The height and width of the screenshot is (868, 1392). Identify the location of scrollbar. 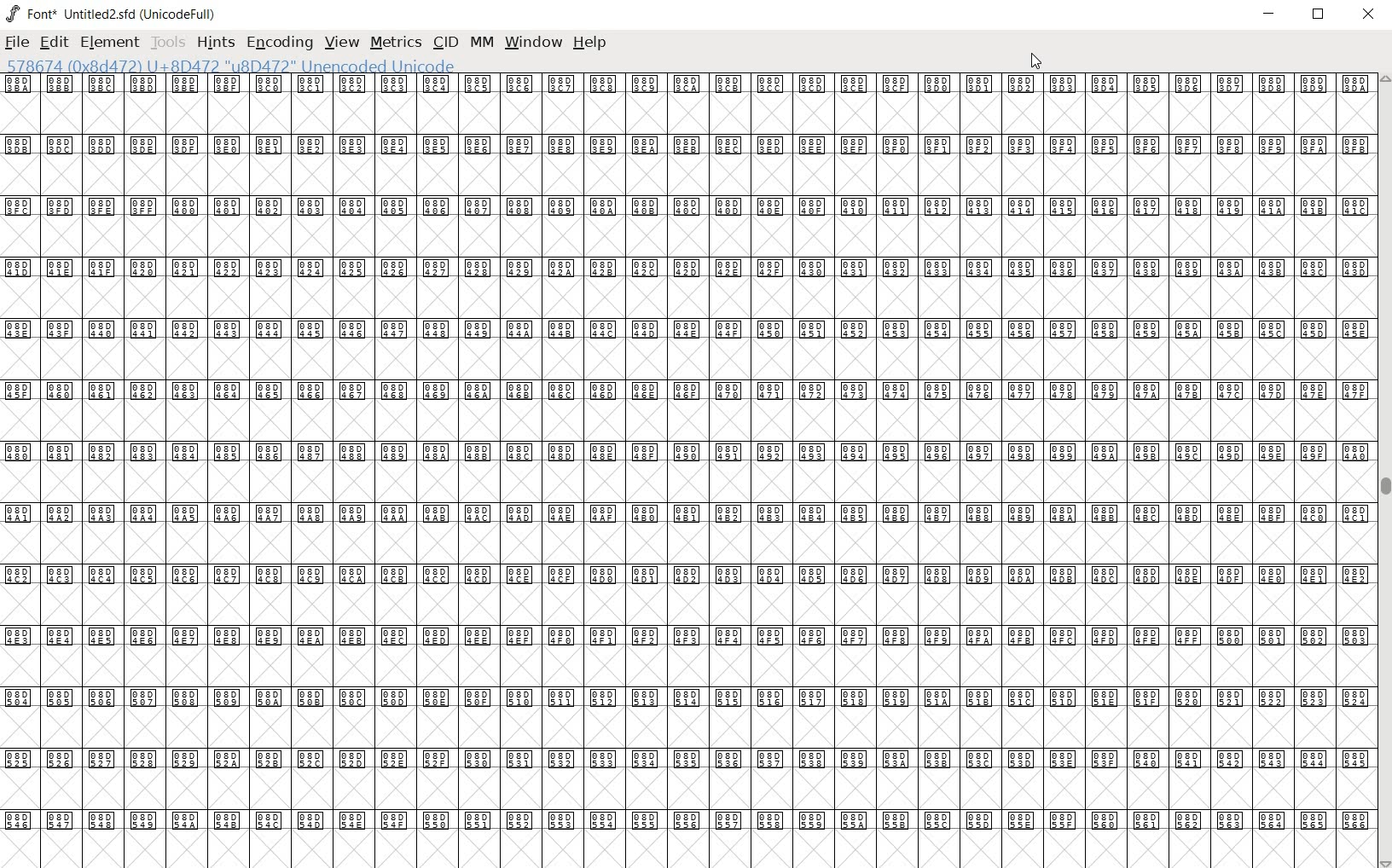
(1383, 471).